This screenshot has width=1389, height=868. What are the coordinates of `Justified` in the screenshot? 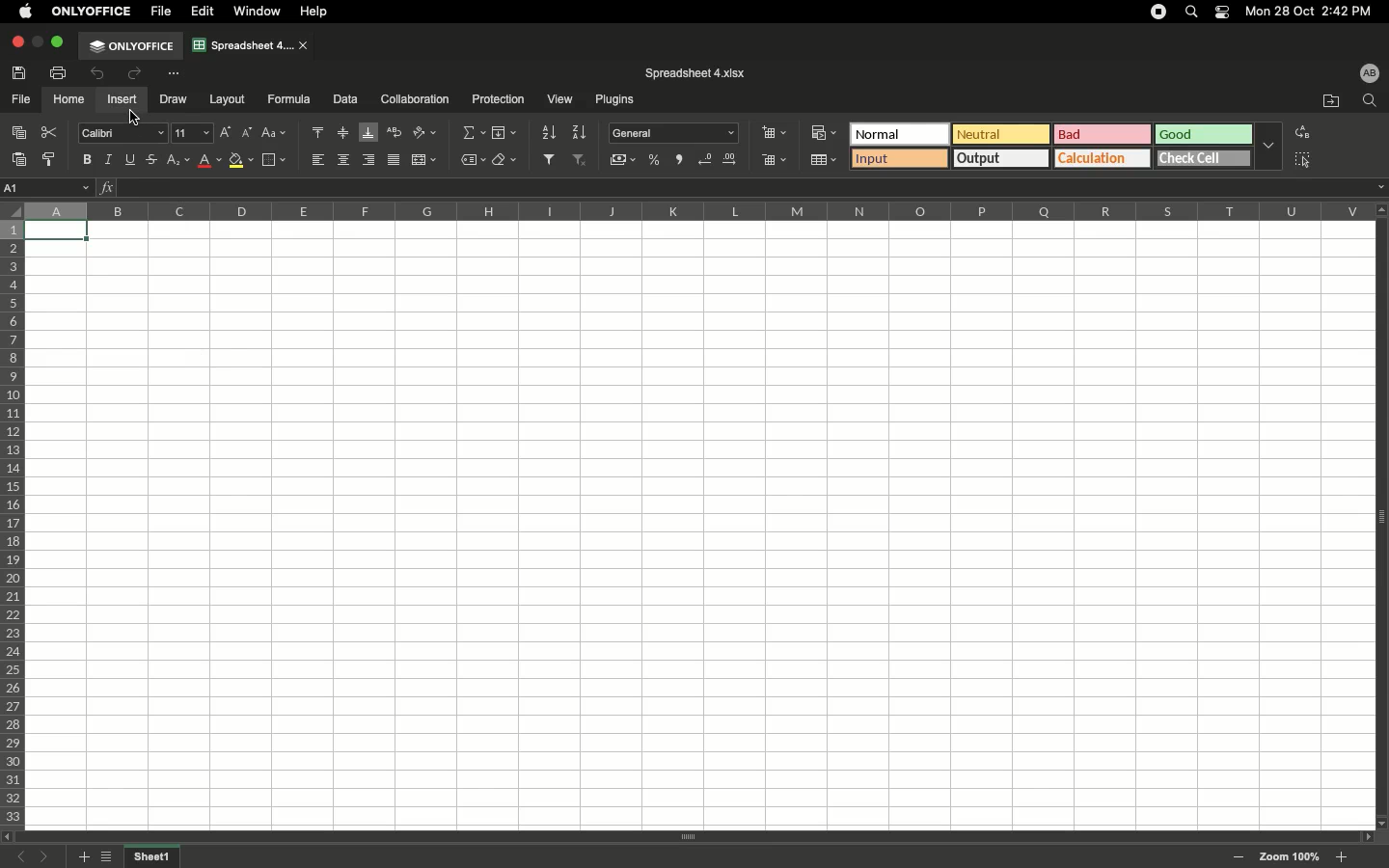 It's located at (395, 160).